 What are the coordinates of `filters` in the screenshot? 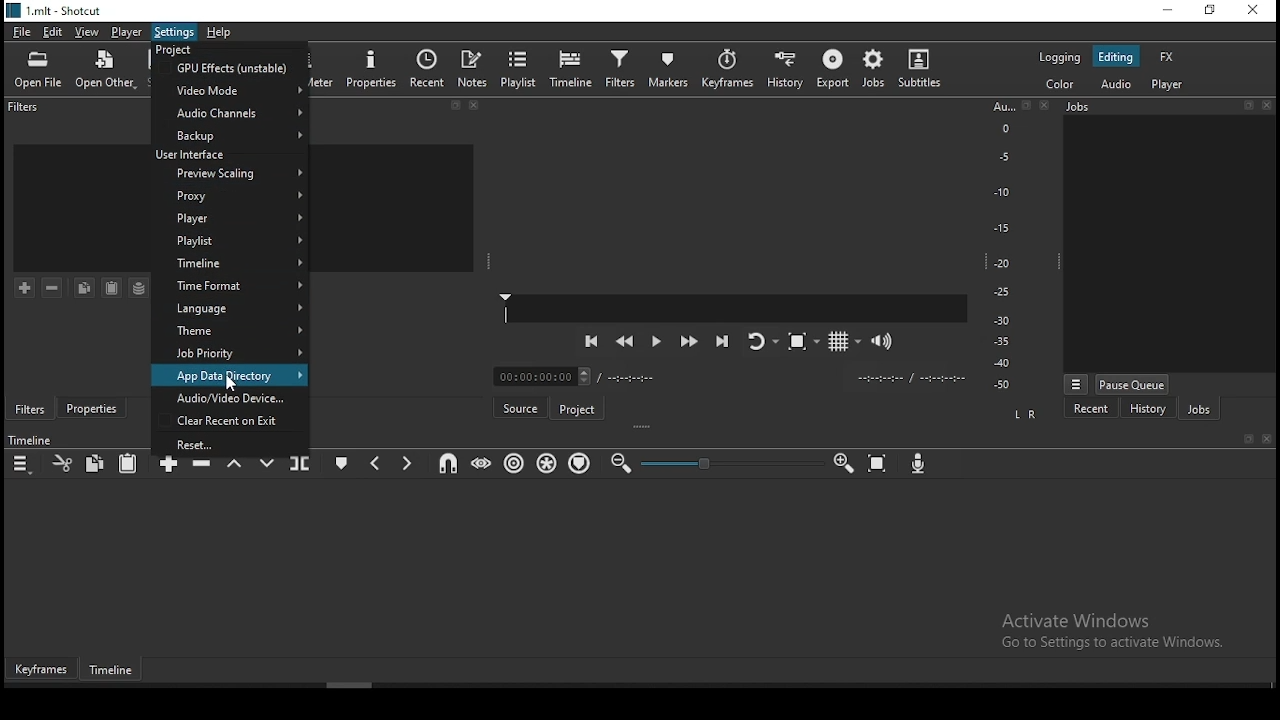 It's located at (620, 69).